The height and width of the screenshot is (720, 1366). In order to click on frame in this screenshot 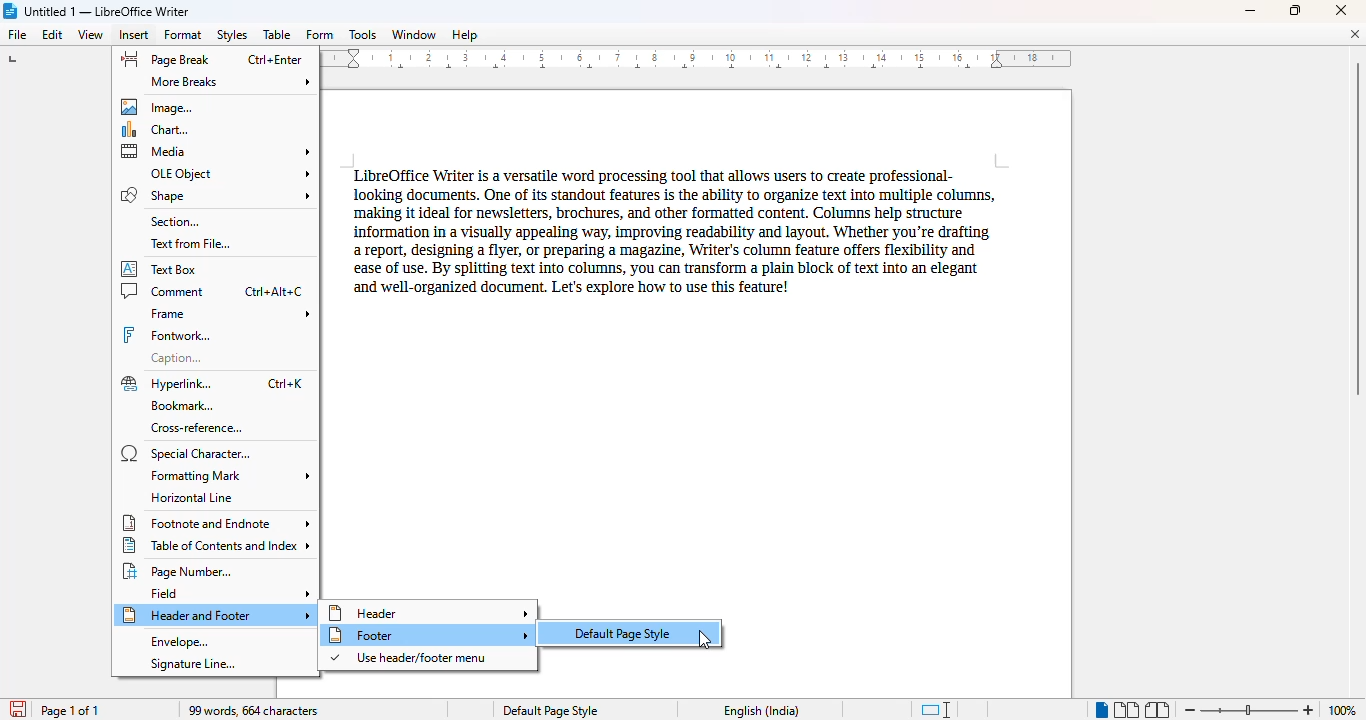, I will do `click(229, 314)`.